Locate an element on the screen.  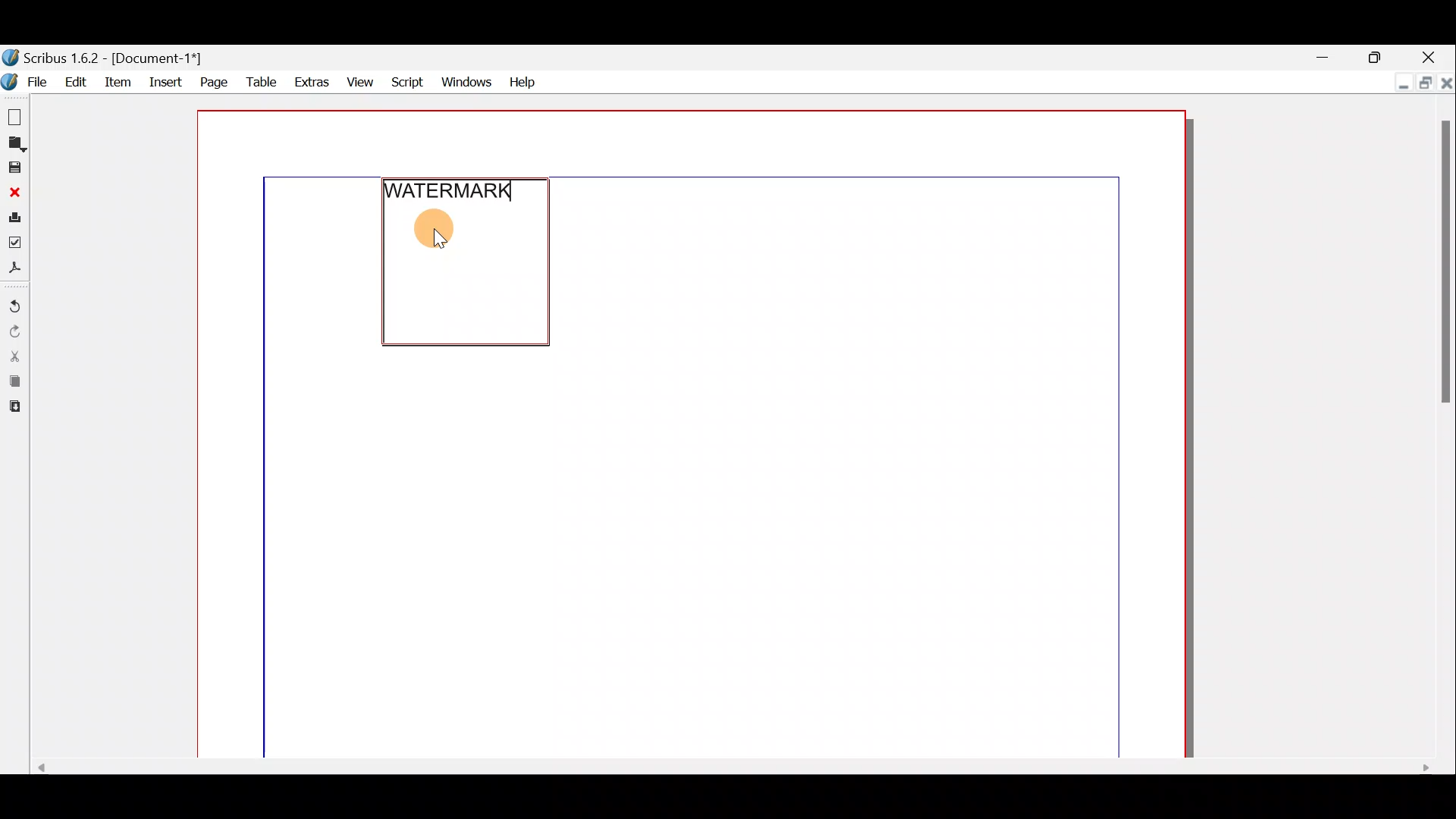
Preflight verifier is located at coordinates (15, 246).